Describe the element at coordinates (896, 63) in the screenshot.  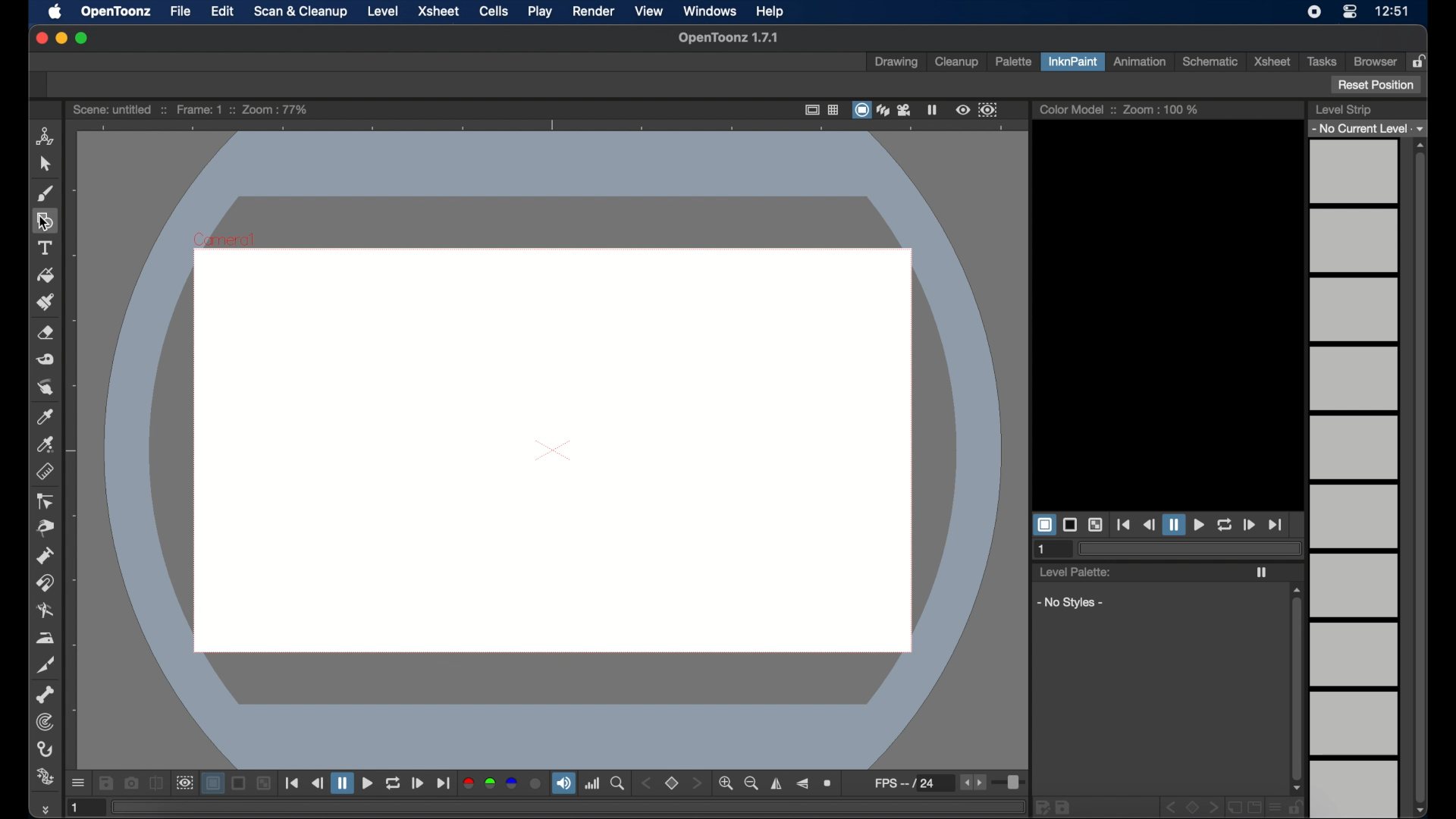
I see `drawing` at that location.